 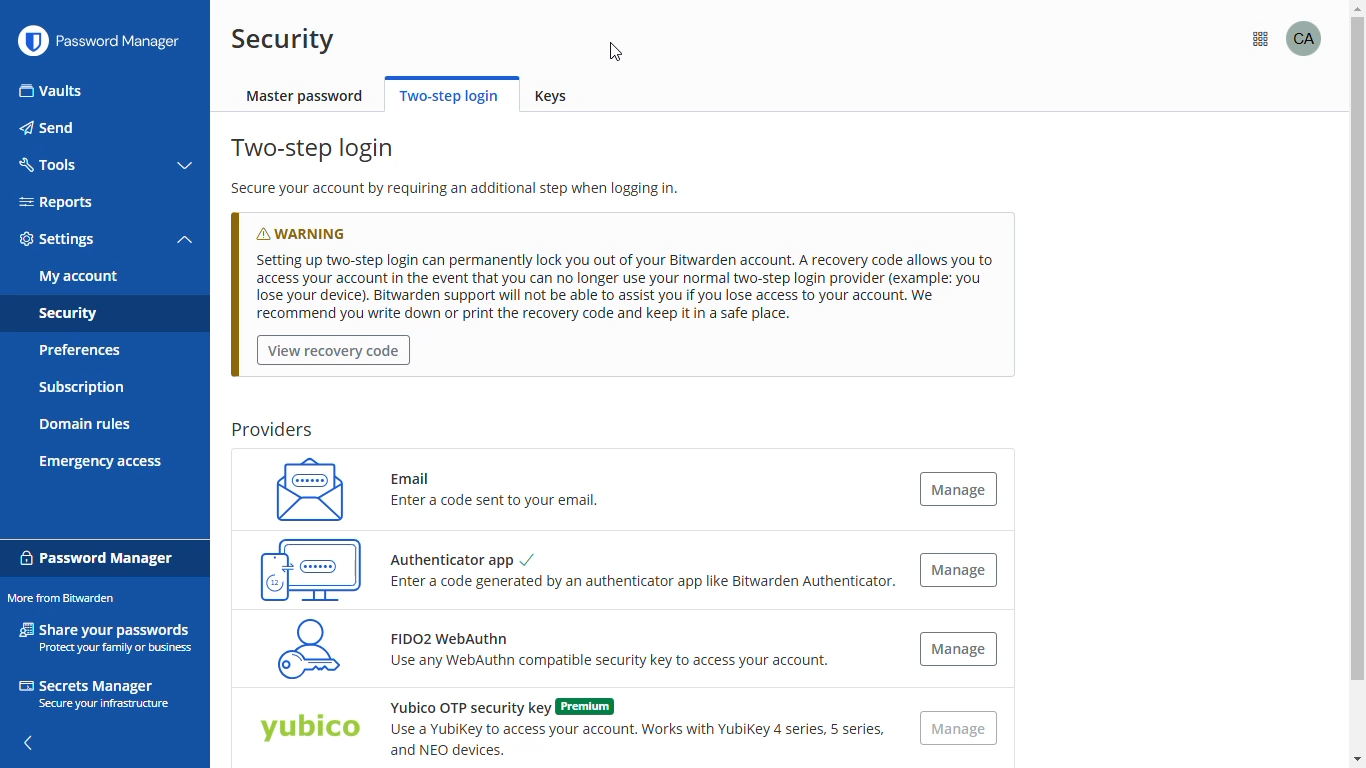 What do you see at coordinates (449, 95) in the screenshot?
I see `two-step login` at bounding box center [449, 95].